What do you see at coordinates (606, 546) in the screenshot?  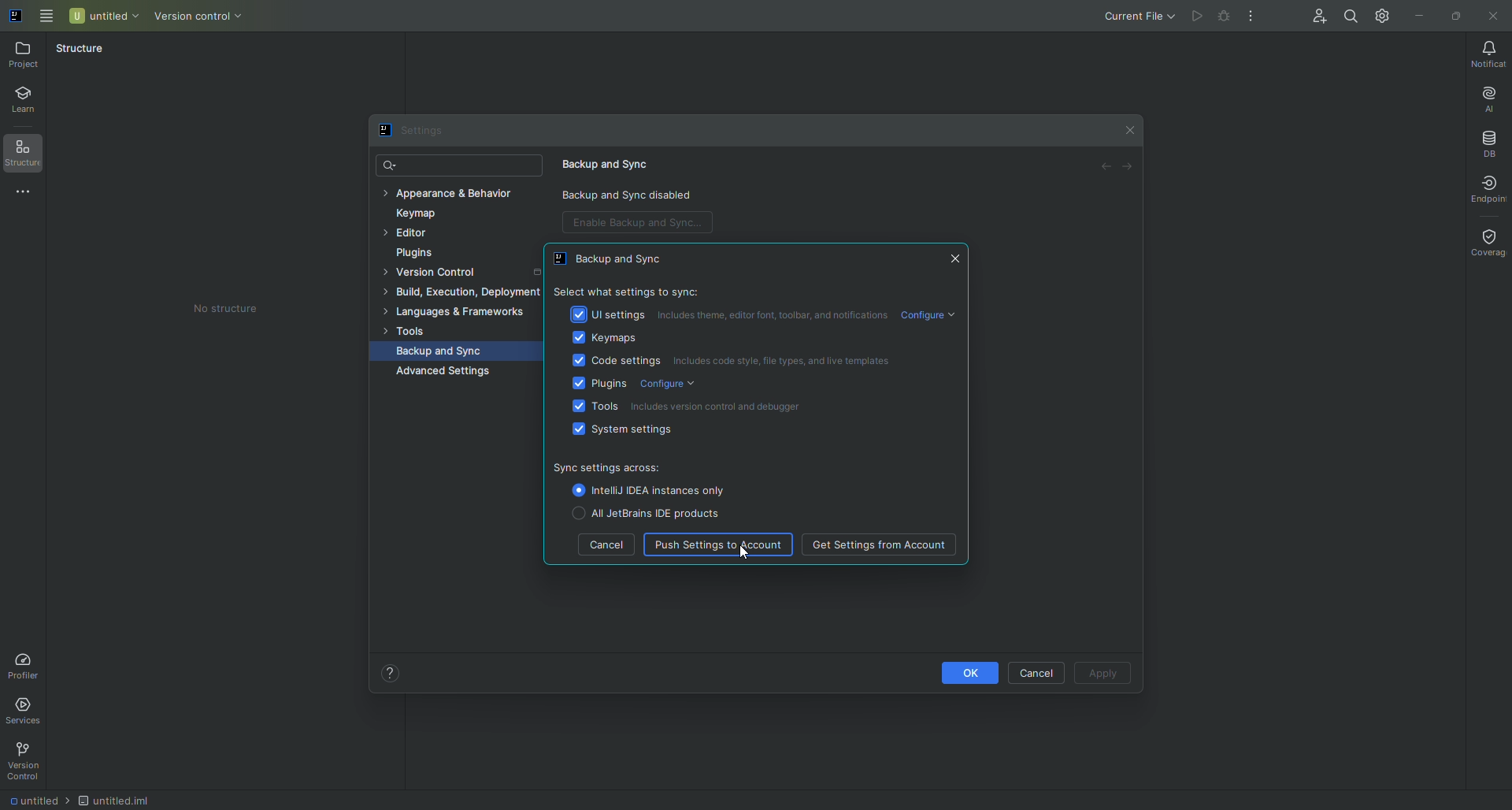 I see `Cancel` at bounding box center [606, 546].